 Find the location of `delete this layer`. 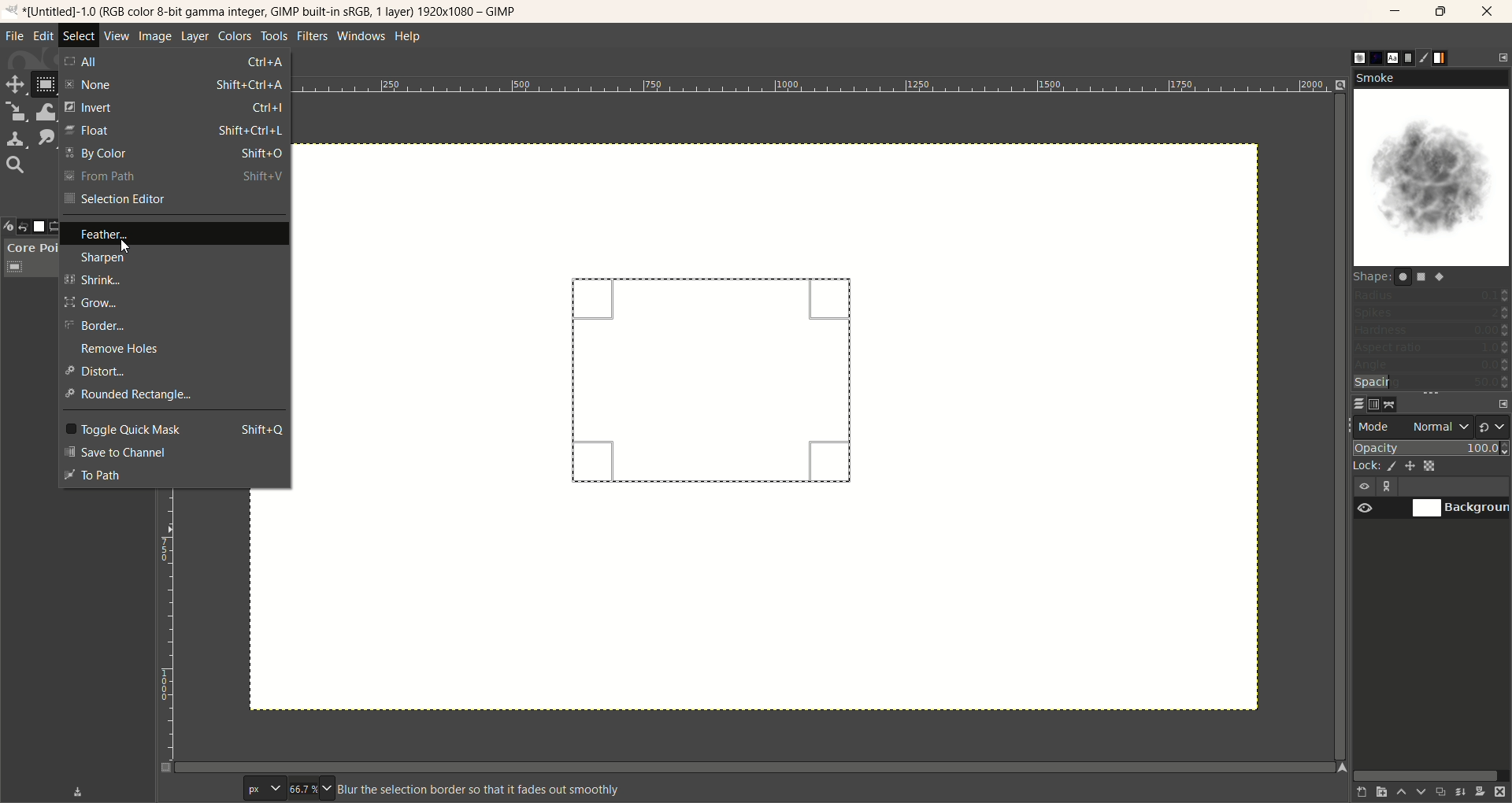

delete this layer is located at coordinates (1501, 793).